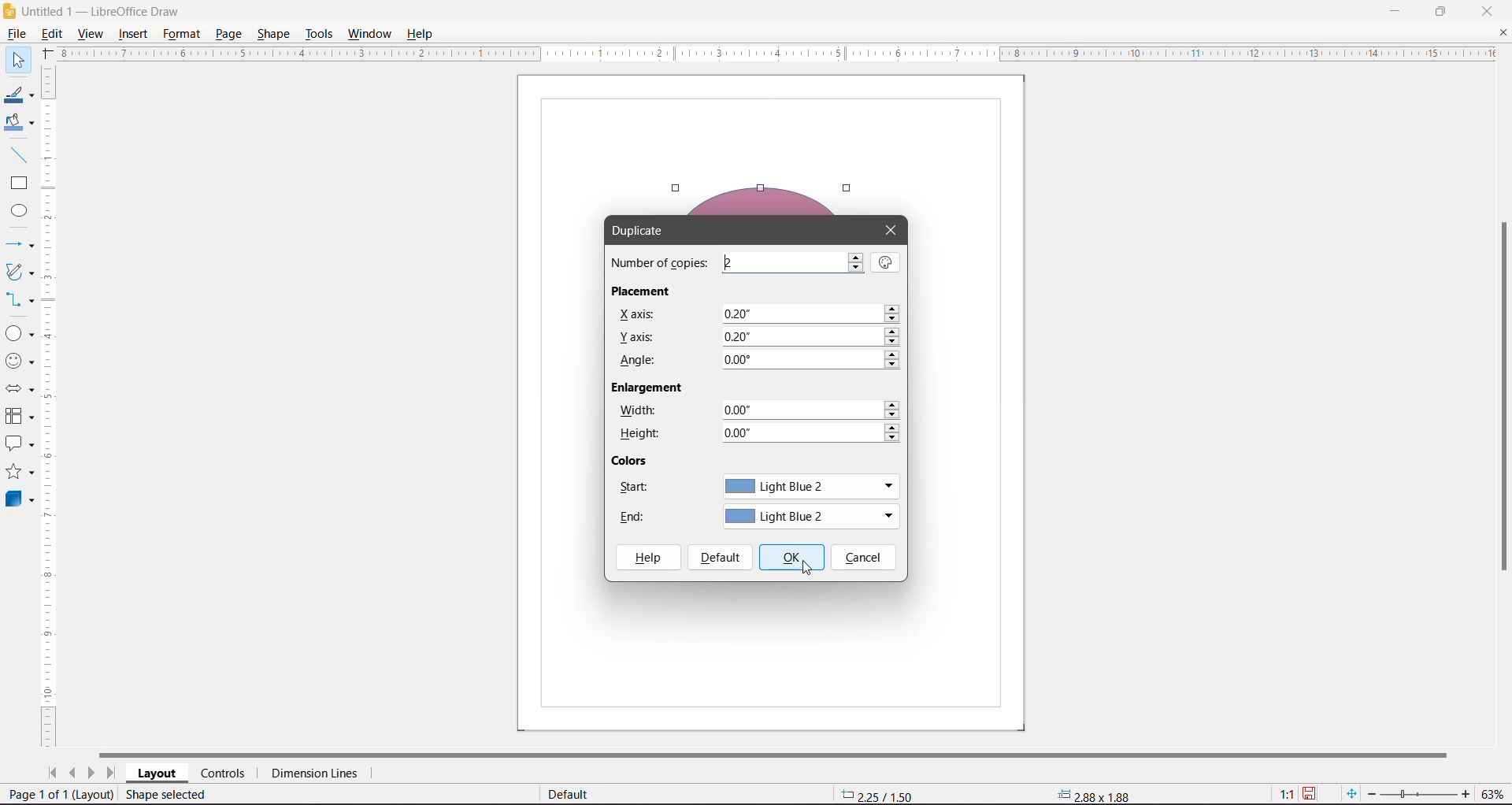 The height and width of the screenshot is (805, 1512). I want to click on Rectangle, so click(19, 184).